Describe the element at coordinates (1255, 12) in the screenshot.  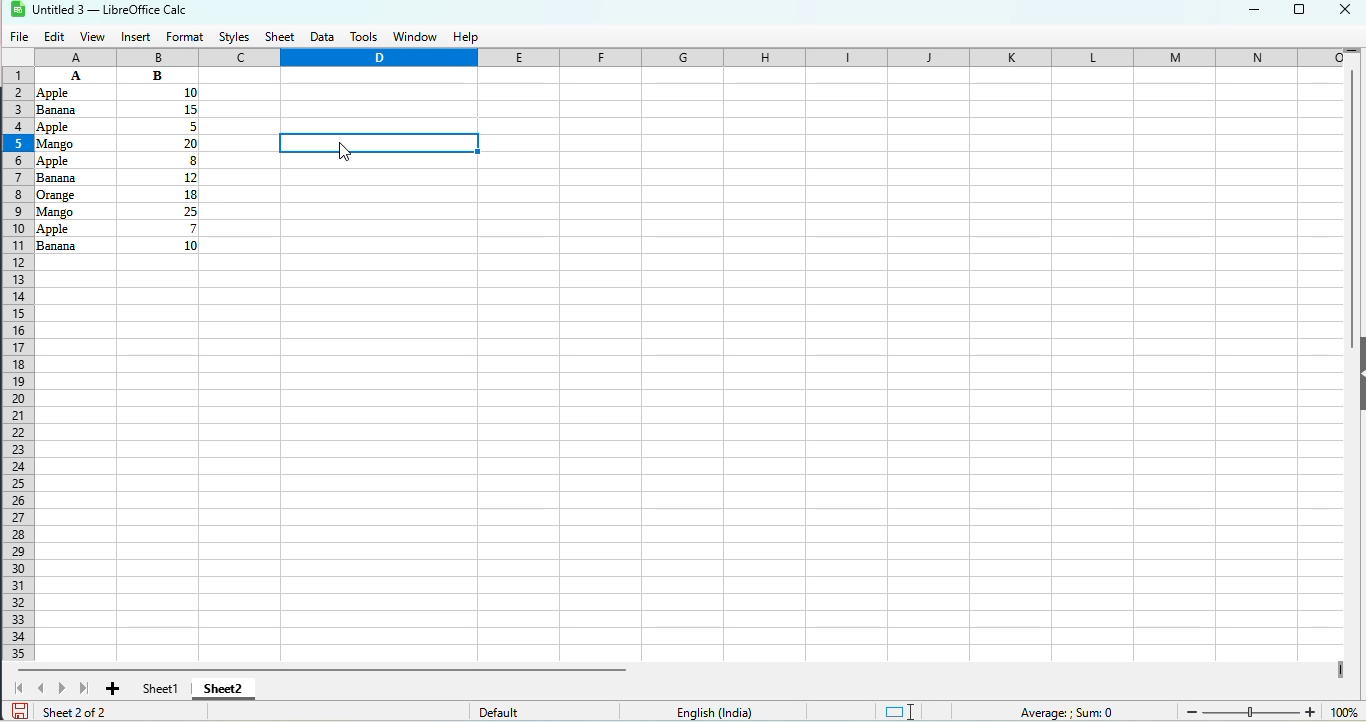
I see `minimize` at that location.